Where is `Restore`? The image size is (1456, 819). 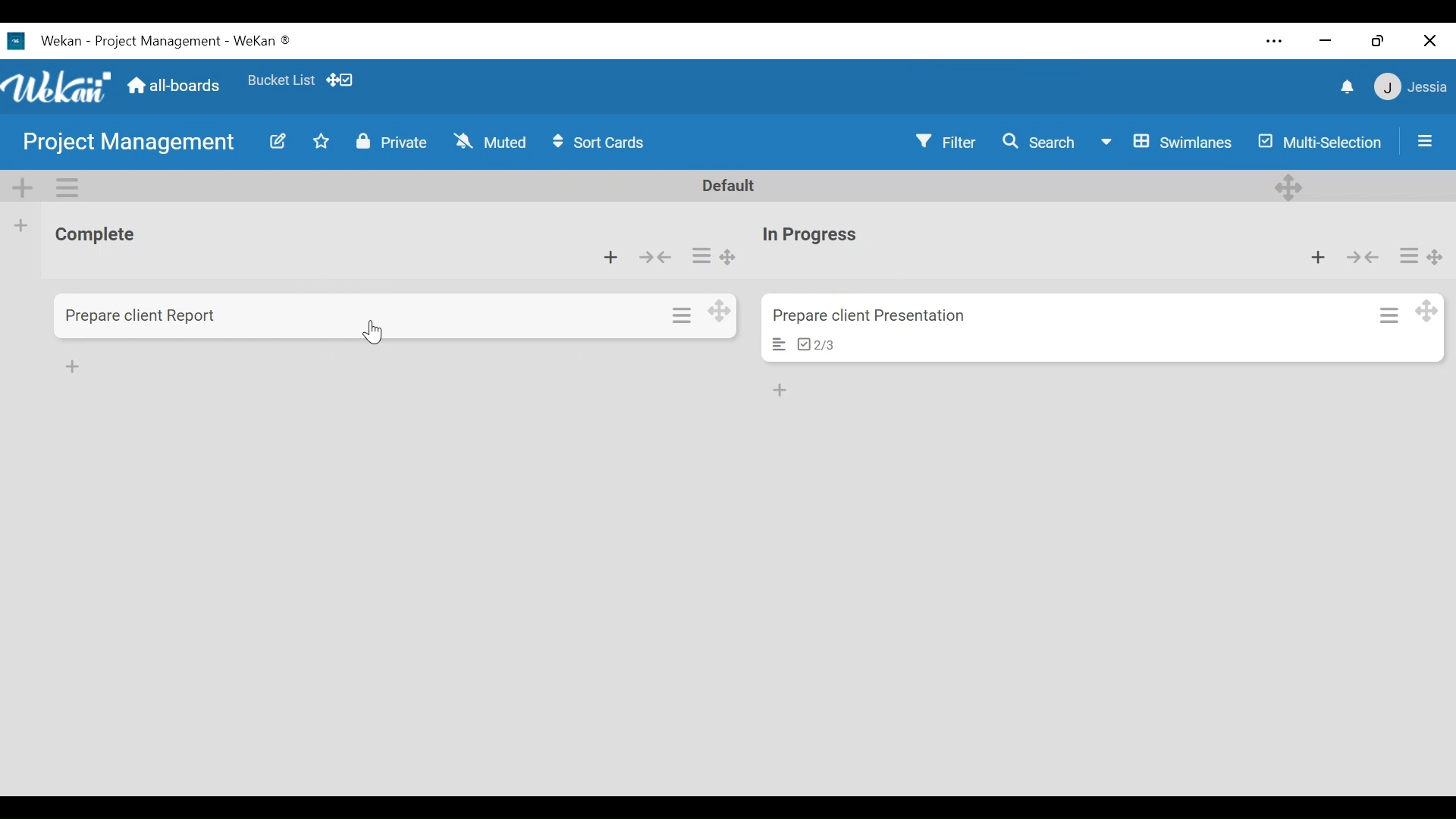
Restore is located at coordinates (1375, 41).